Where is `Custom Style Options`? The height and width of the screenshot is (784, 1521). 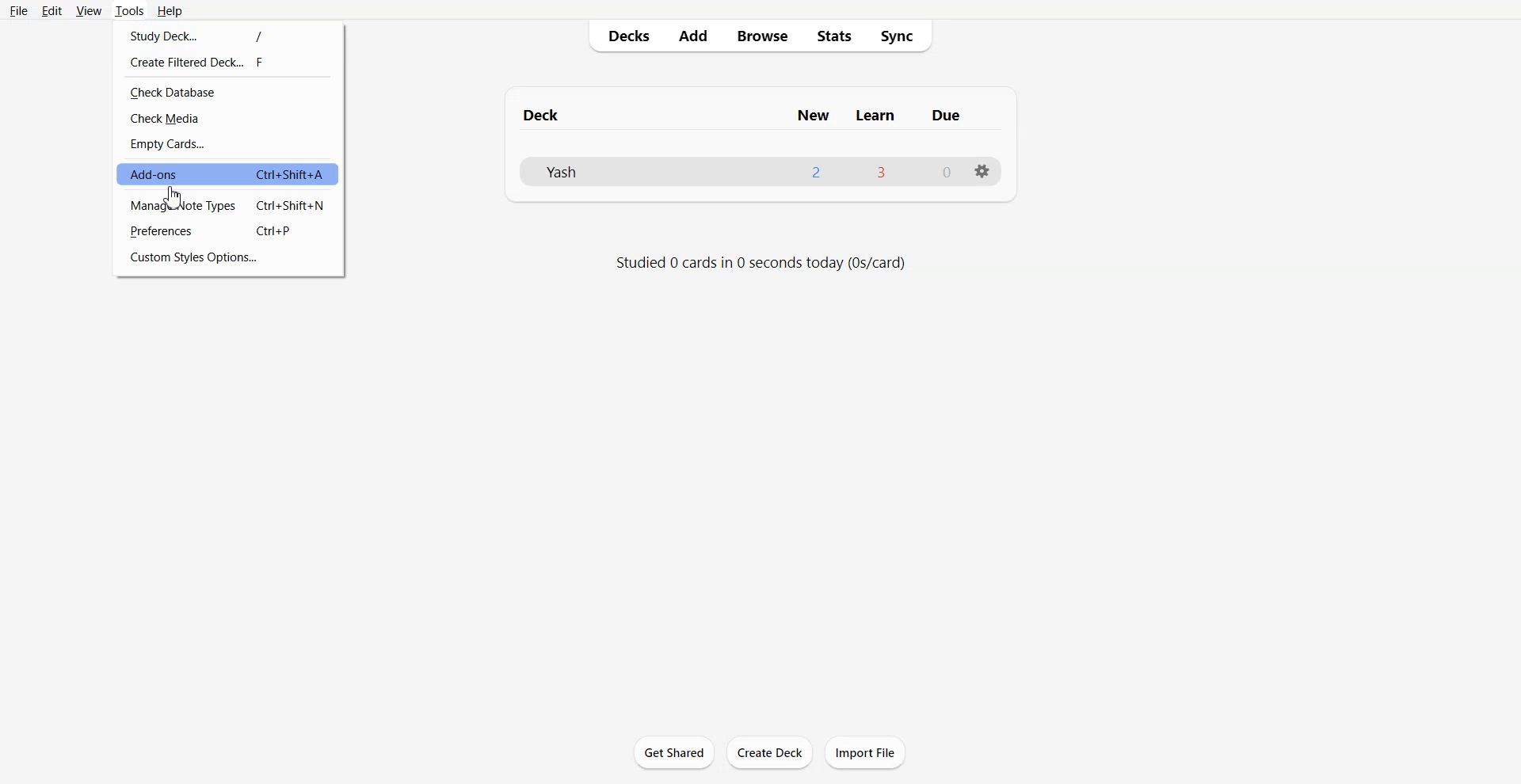
Custom Style Options is located at coordinates (228, 257).